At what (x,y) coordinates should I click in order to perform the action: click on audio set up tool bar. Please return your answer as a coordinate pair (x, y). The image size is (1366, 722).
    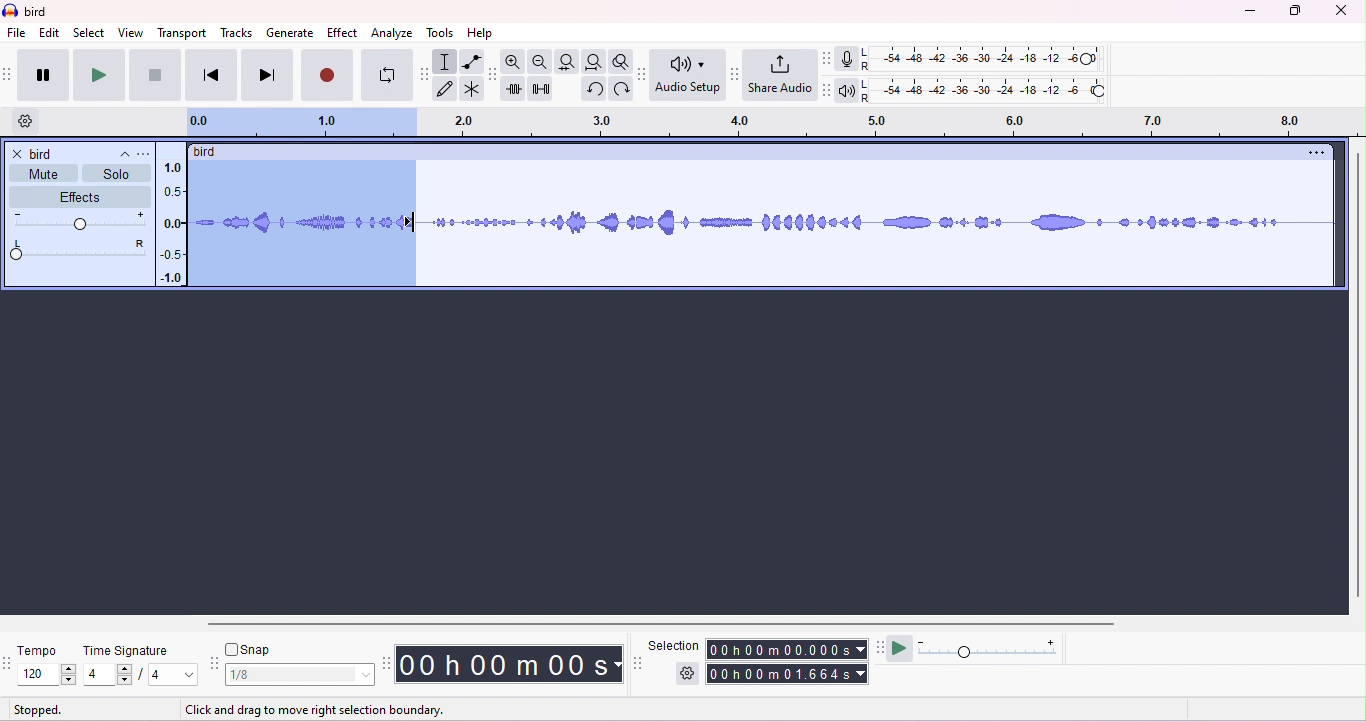
    Looking at the image, I should click on (644, 74).